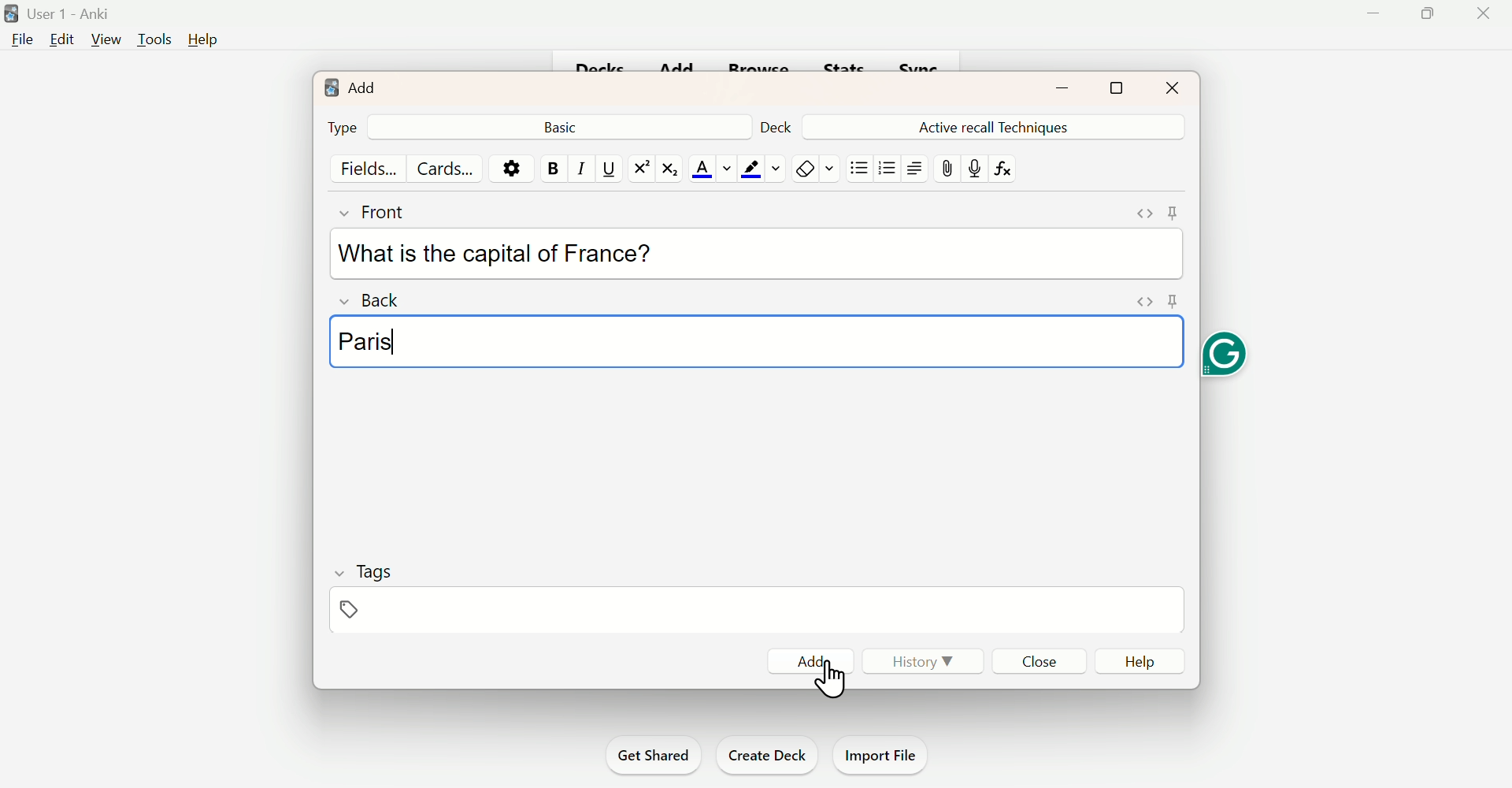 The height and width of the screenshot is (788, 1512). What do you see at coordinates (368, 167) in the screenshot?
I see `Fields...` at bounding box center [368, 167].